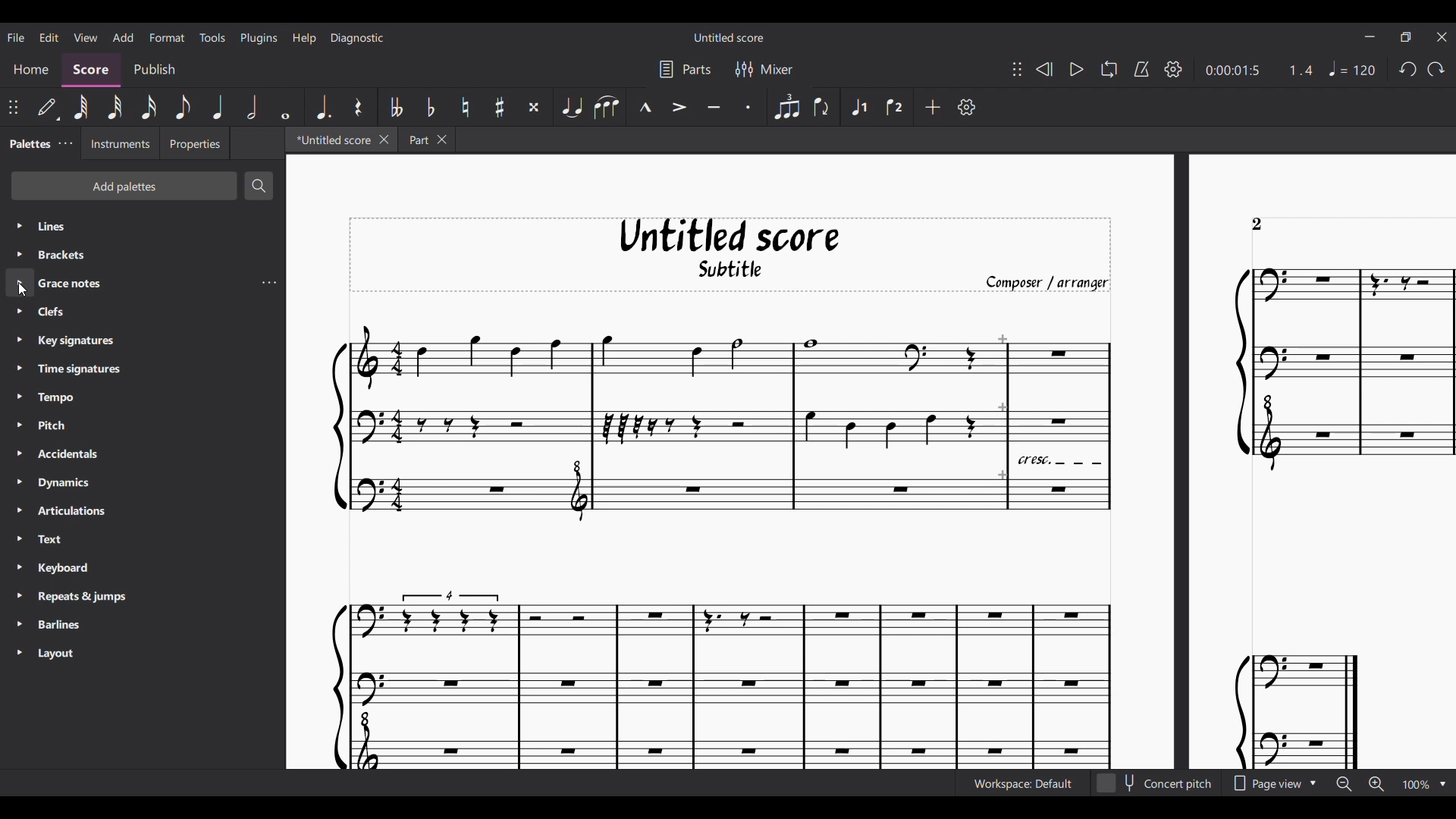 The image size is (1456, 819). What do you see at coordinates (1376, 784) in the screenshot?
I see `Zoom in` at bounding box center [1376, 784].